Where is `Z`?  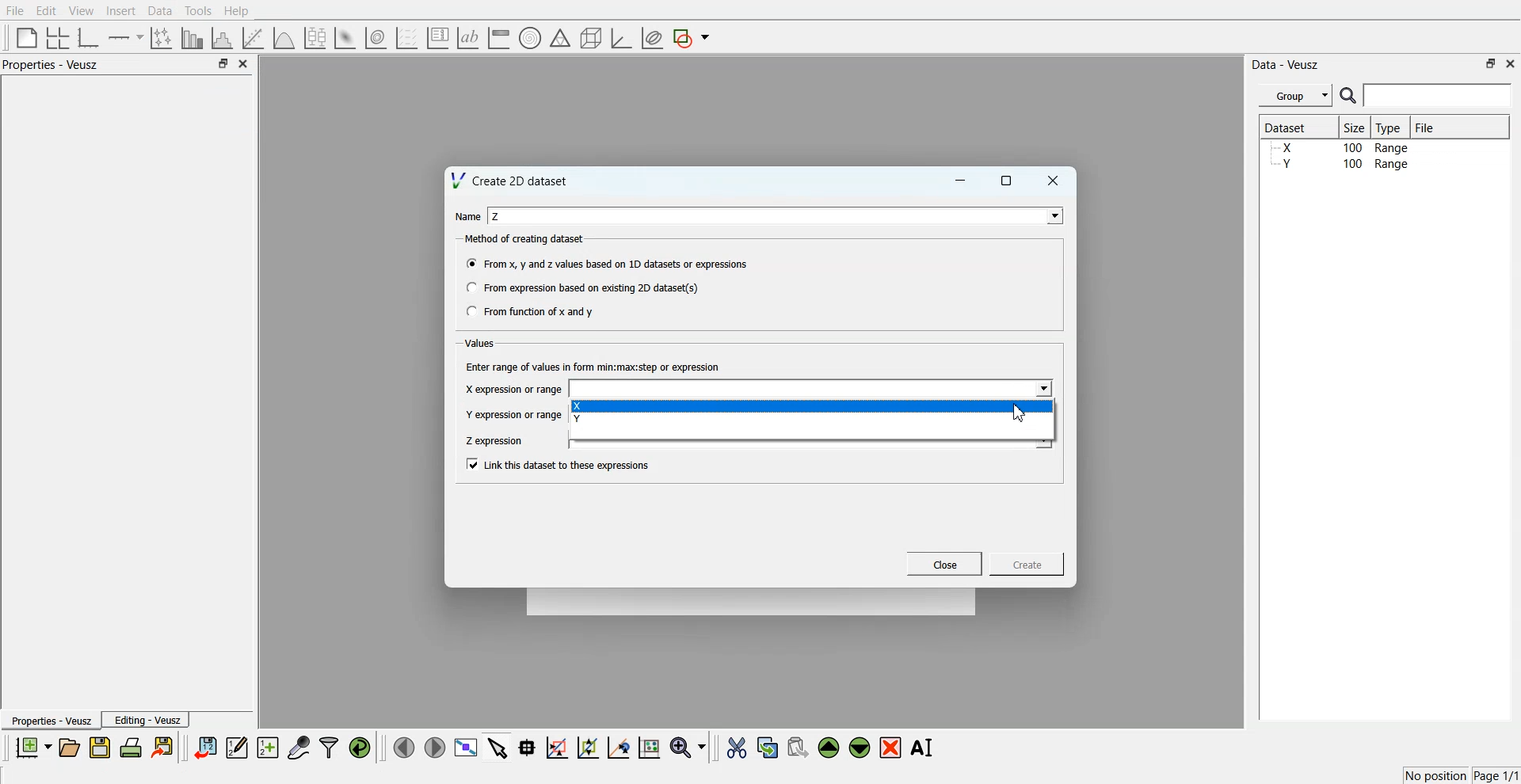 Z is located at coordinates (497, 216).